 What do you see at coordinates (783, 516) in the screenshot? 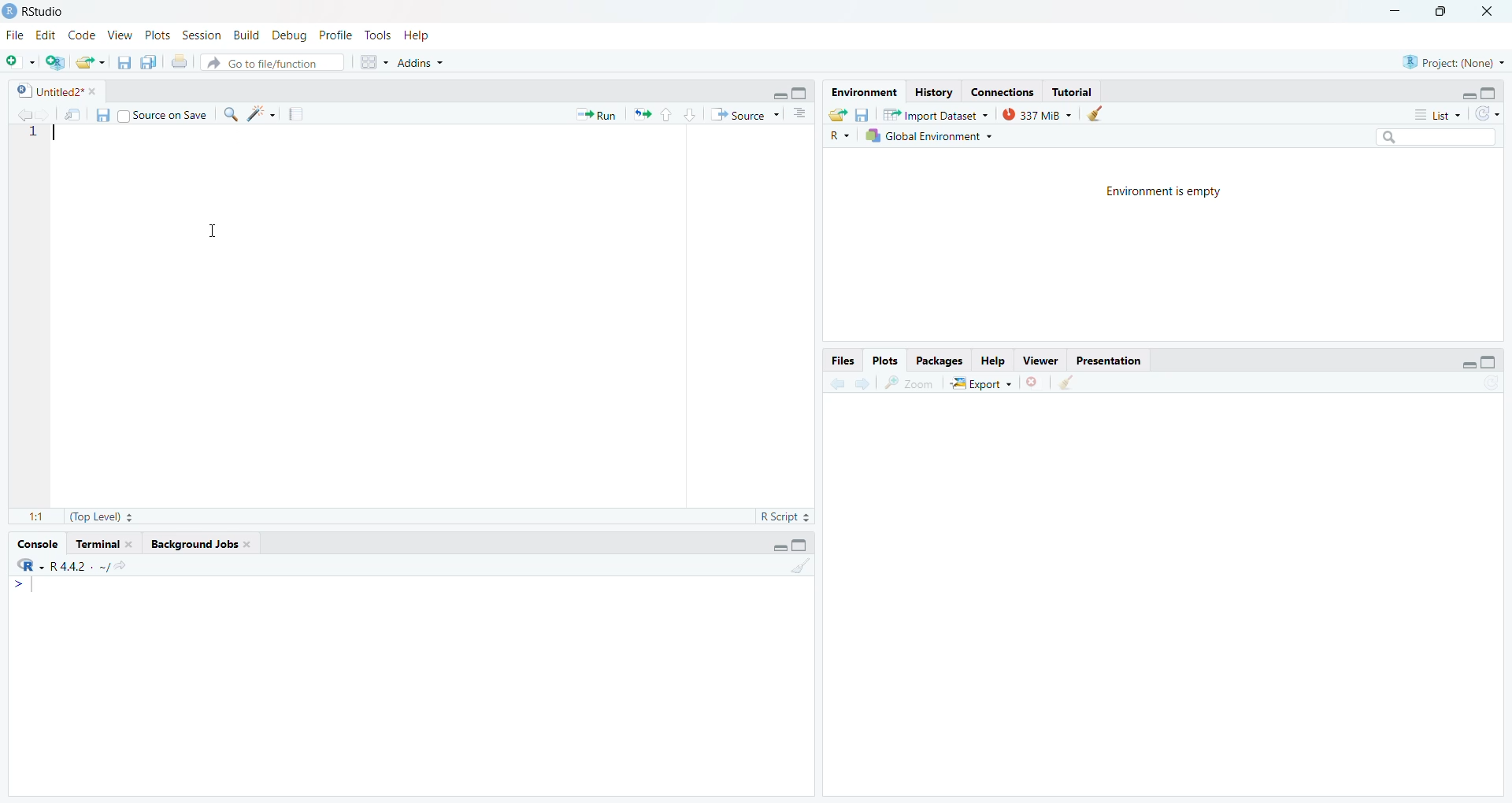
I see `R Script =` at bounding box center [783, 516].